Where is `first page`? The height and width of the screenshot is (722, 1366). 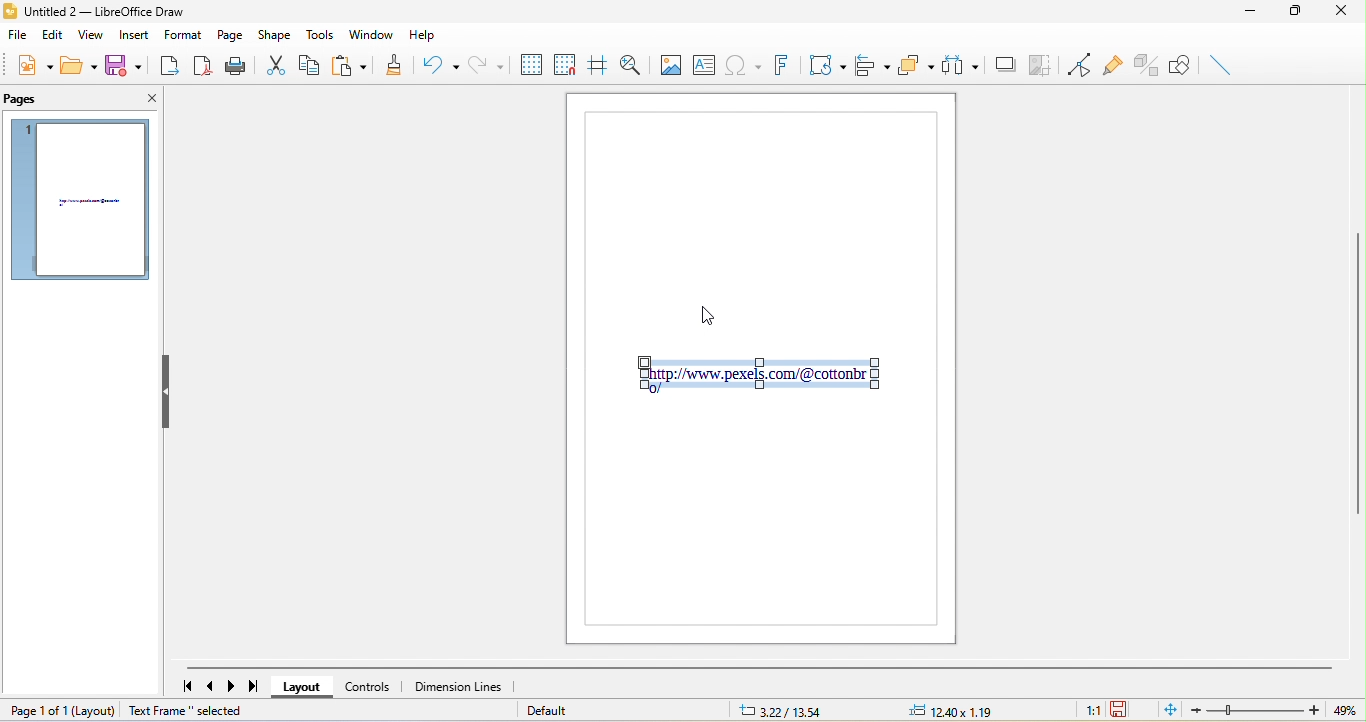
first page is located at coordinates (187, 687).